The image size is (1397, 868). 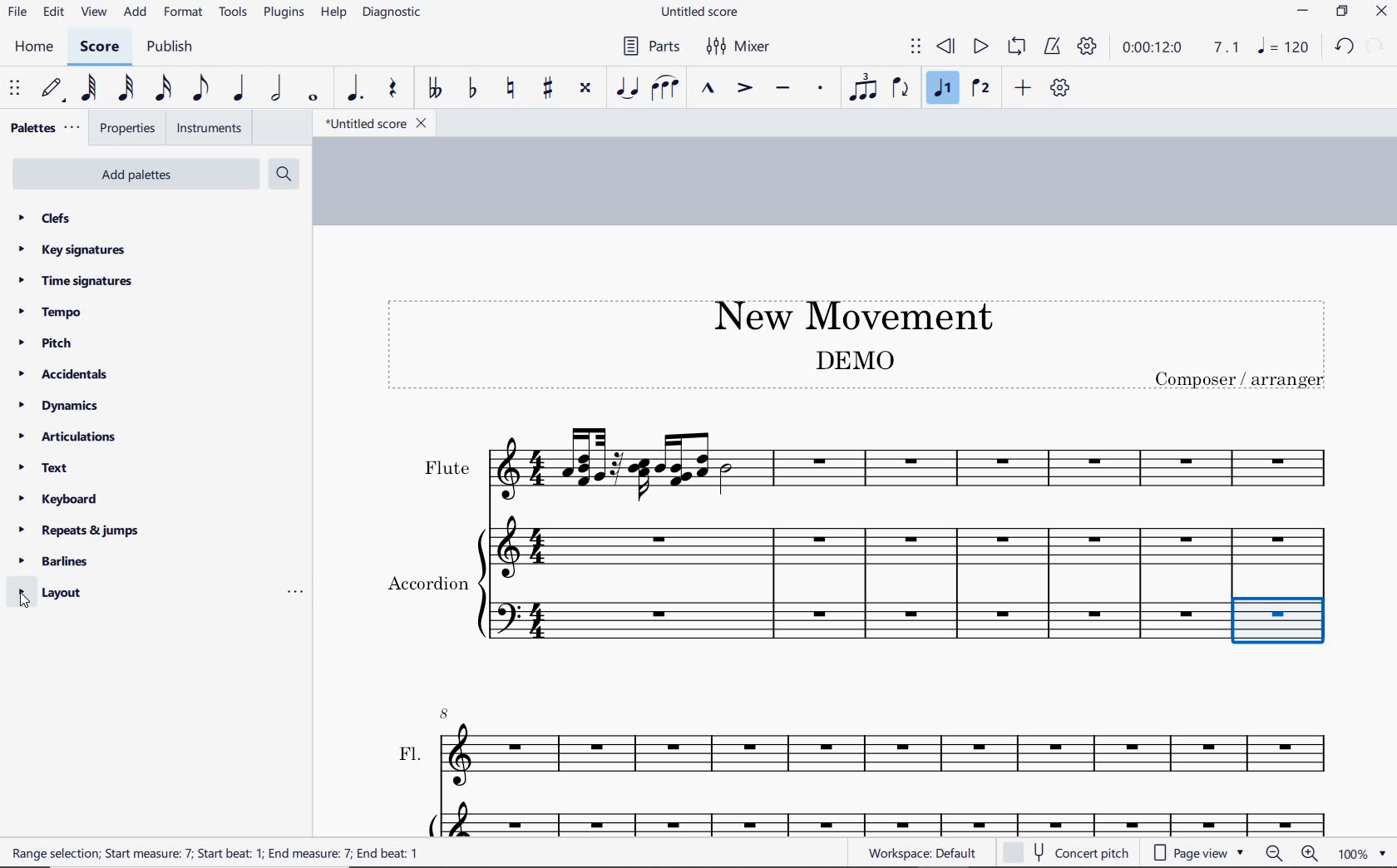 I want to click on 32nd note, so click(x=125, y=89).